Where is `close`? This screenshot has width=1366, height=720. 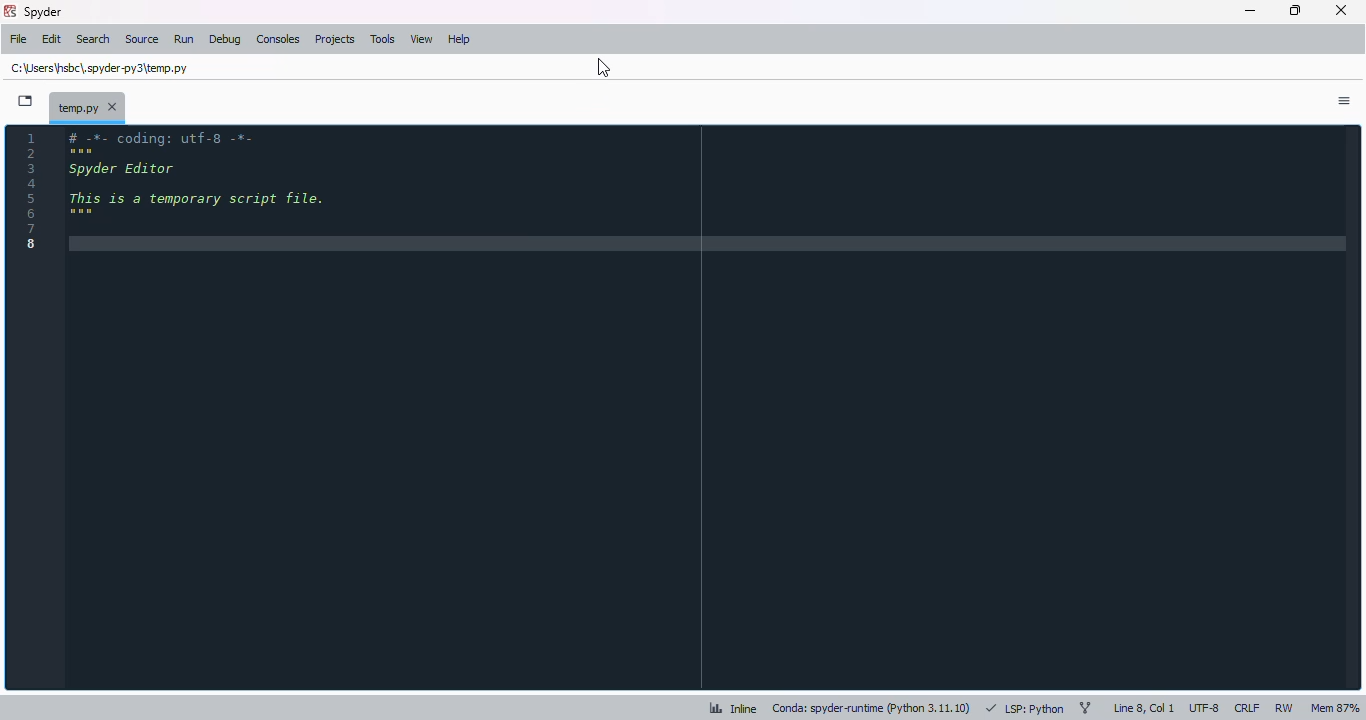
close is located at coordinates (1341, 10).